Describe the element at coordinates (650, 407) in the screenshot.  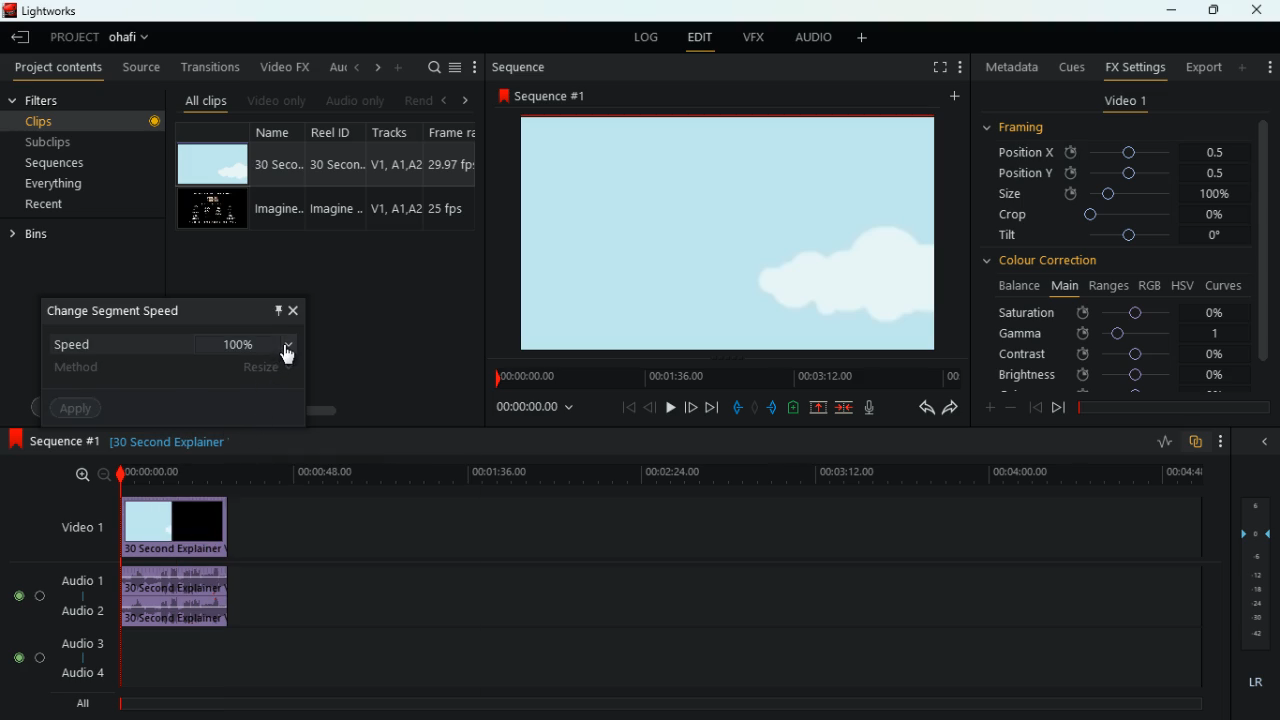
I see `back` at that location.